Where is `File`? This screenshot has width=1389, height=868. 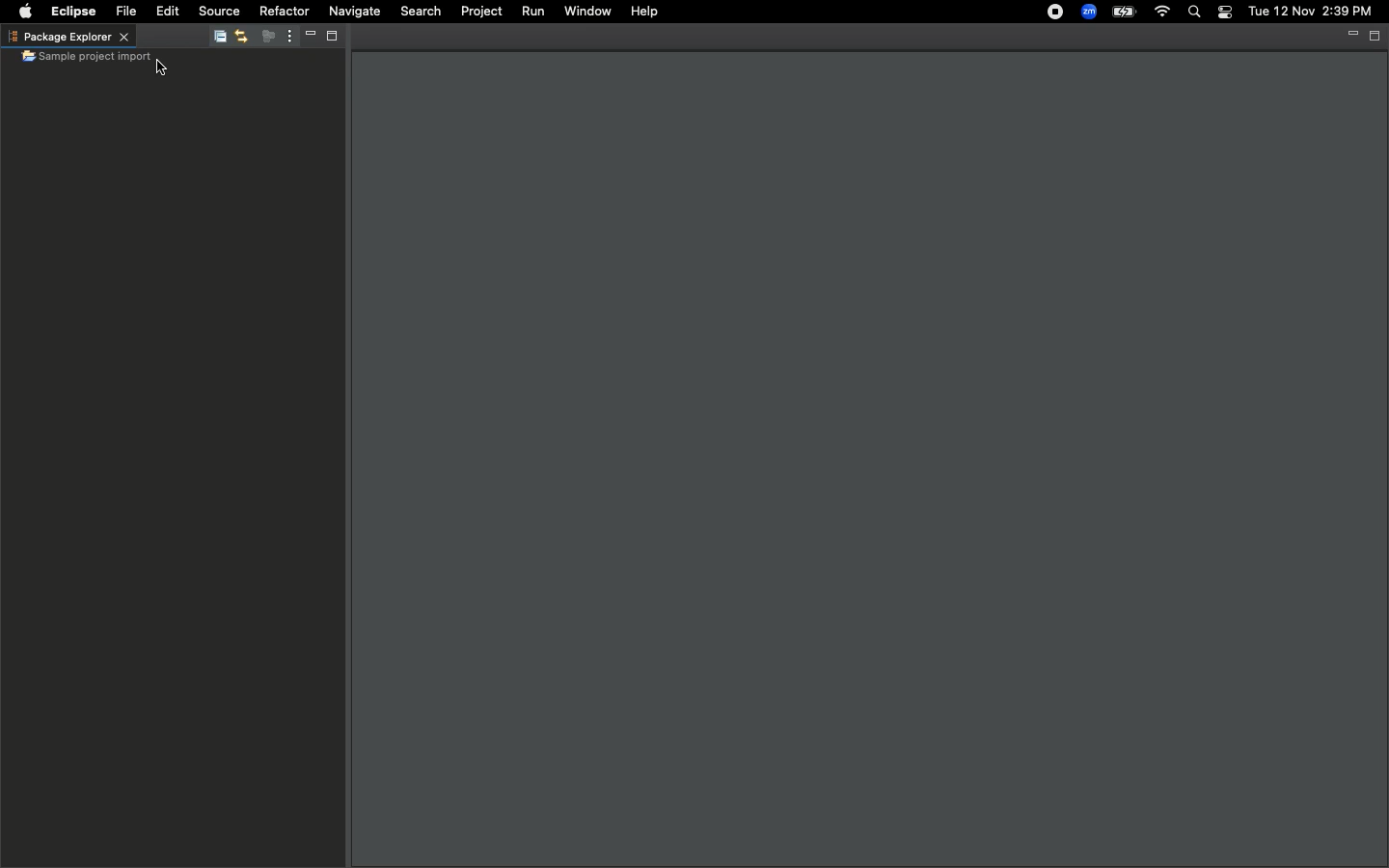
File is located at coordinates (128, 12).